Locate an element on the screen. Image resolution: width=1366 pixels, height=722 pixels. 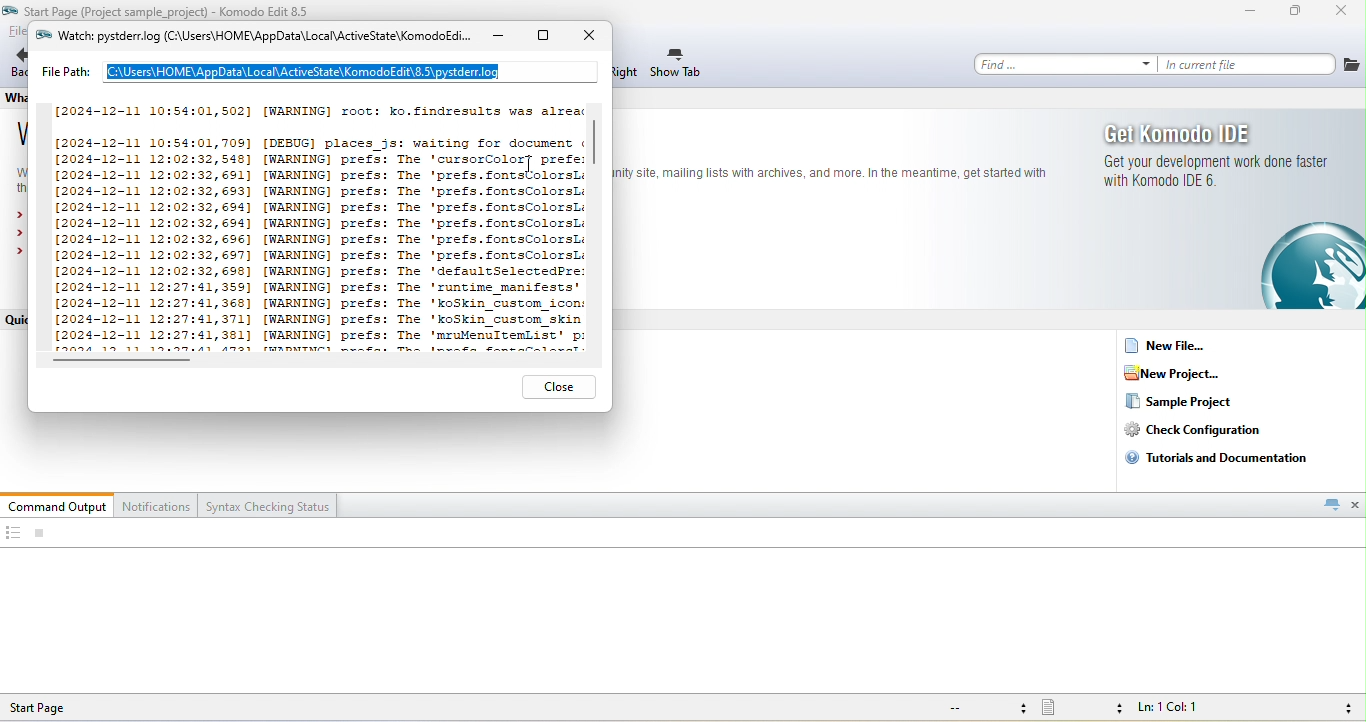
file encoding is located at coordinates (984, 708).